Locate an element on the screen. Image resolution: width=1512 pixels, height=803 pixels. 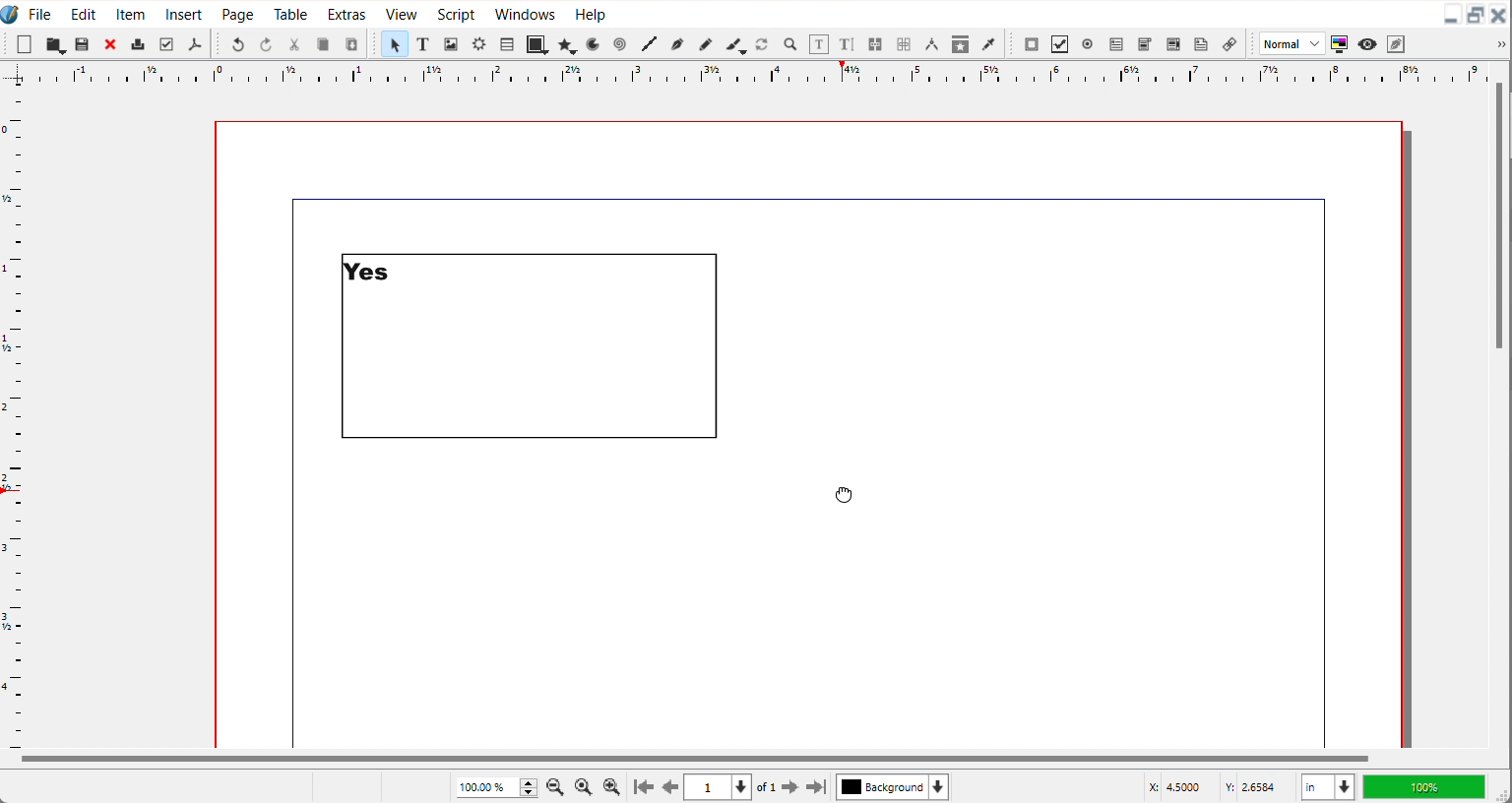
Close is located at coordinates (1499, 16).